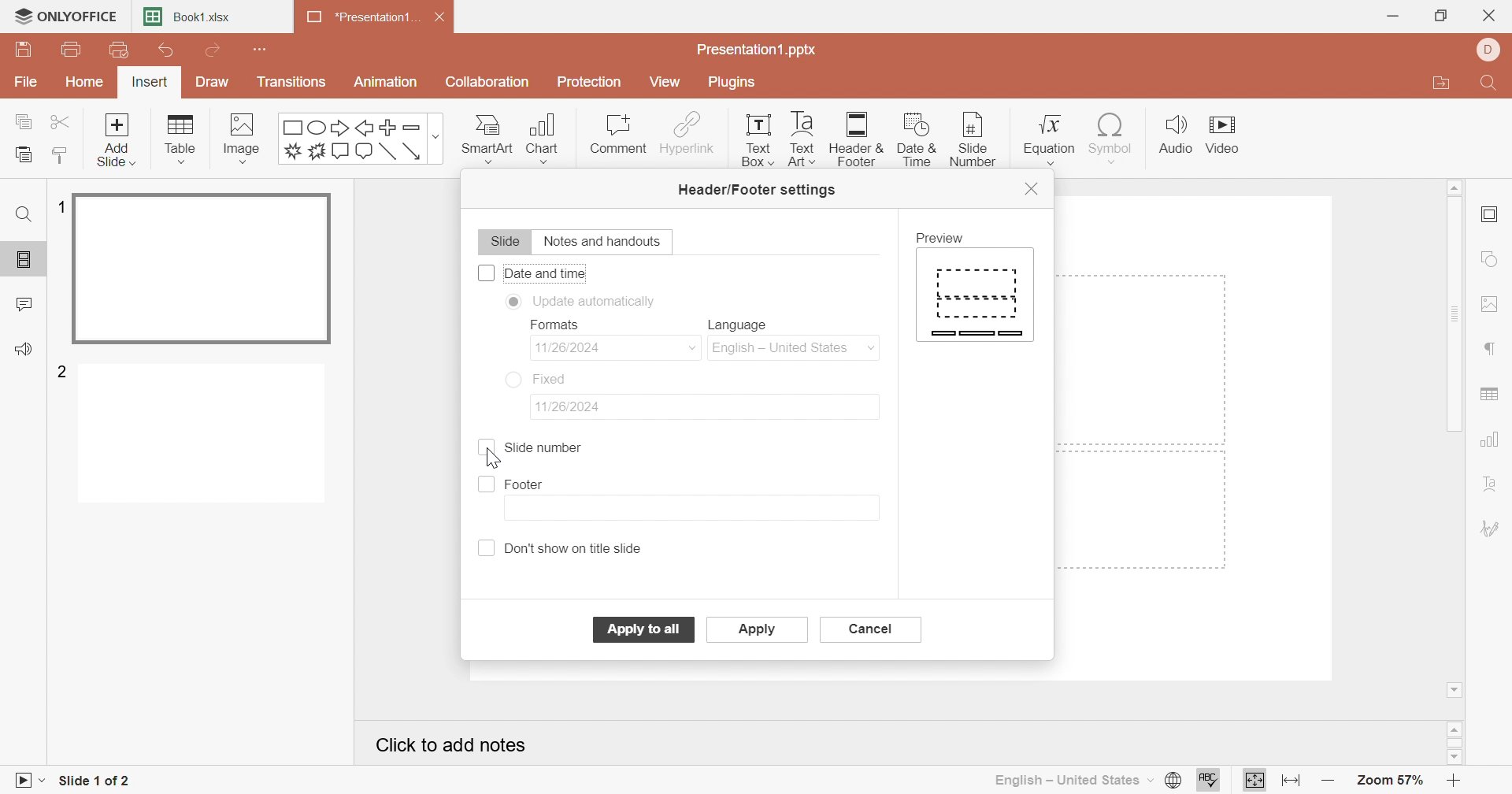  Describe the element at coordinates (1491, 485) in the screenshot. I see `Text Art settings` at that location.